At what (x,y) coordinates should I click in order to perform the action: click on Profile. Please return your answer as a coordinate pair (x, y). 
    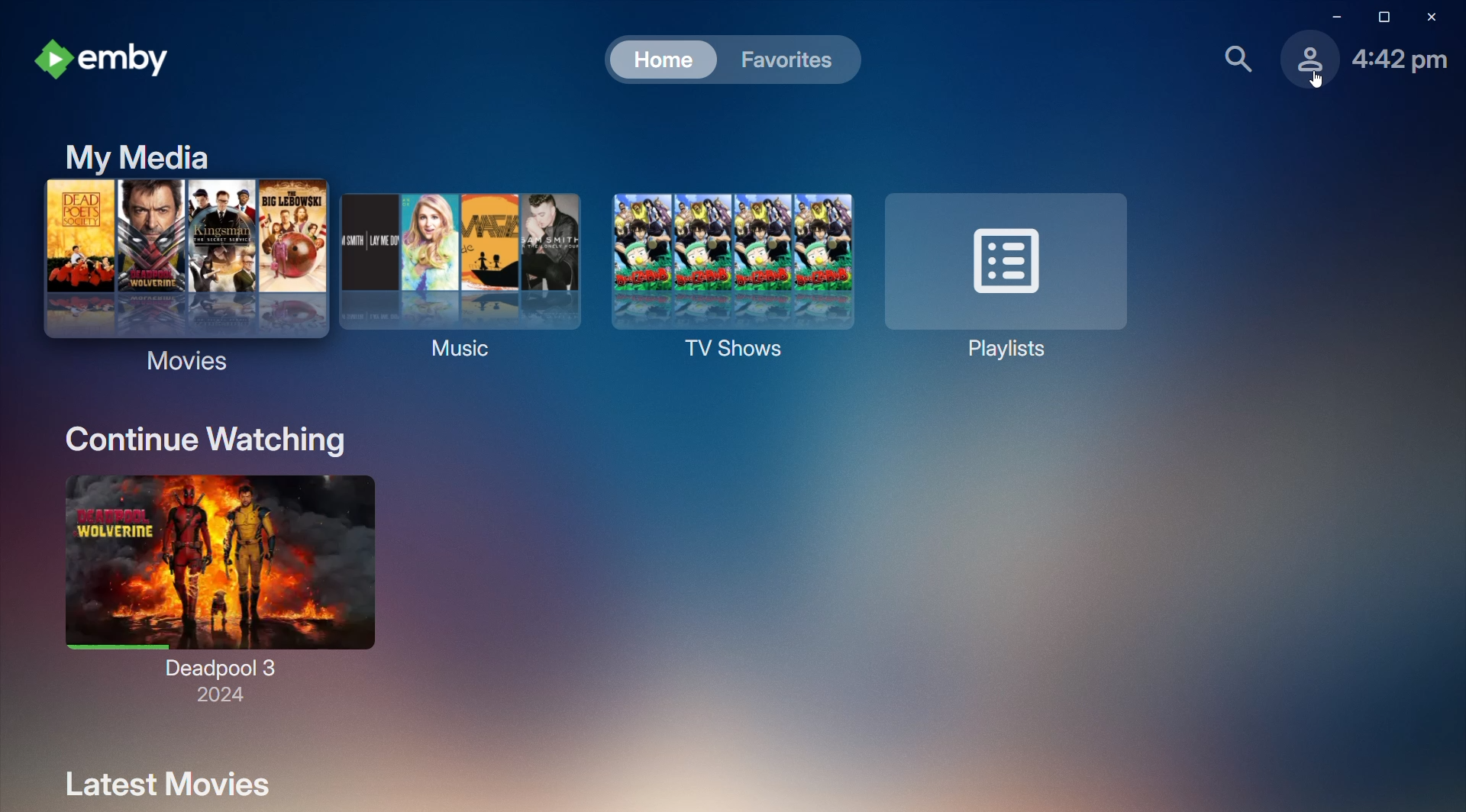
    Looking at the image, I should click on (1305, 59).